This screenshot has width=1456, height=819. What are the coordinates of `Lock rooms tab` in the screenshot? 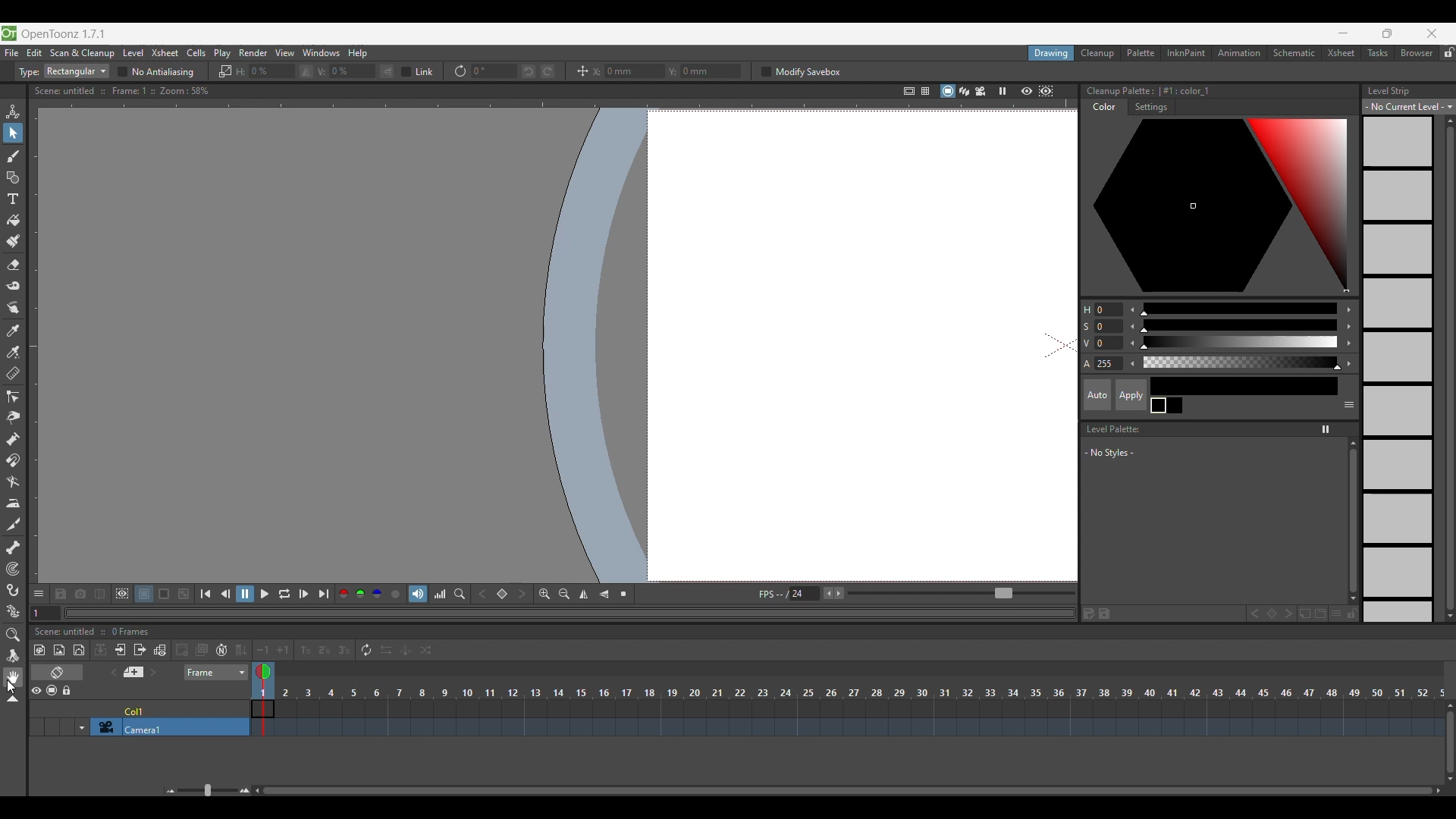 It's located at (1448, 53).